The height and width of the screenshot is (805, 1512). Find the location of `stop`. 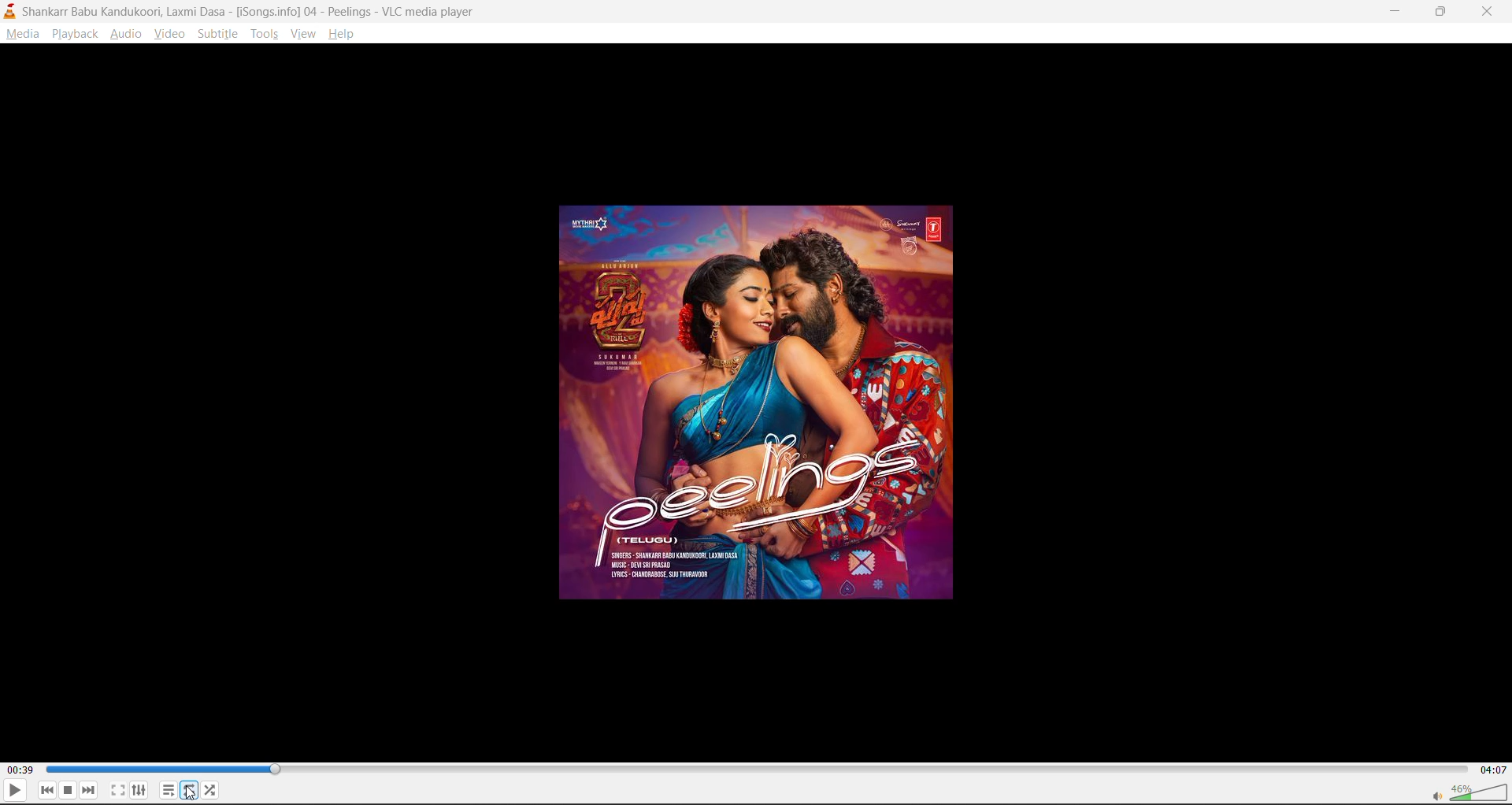

stop is located at coordinates (67, 792).